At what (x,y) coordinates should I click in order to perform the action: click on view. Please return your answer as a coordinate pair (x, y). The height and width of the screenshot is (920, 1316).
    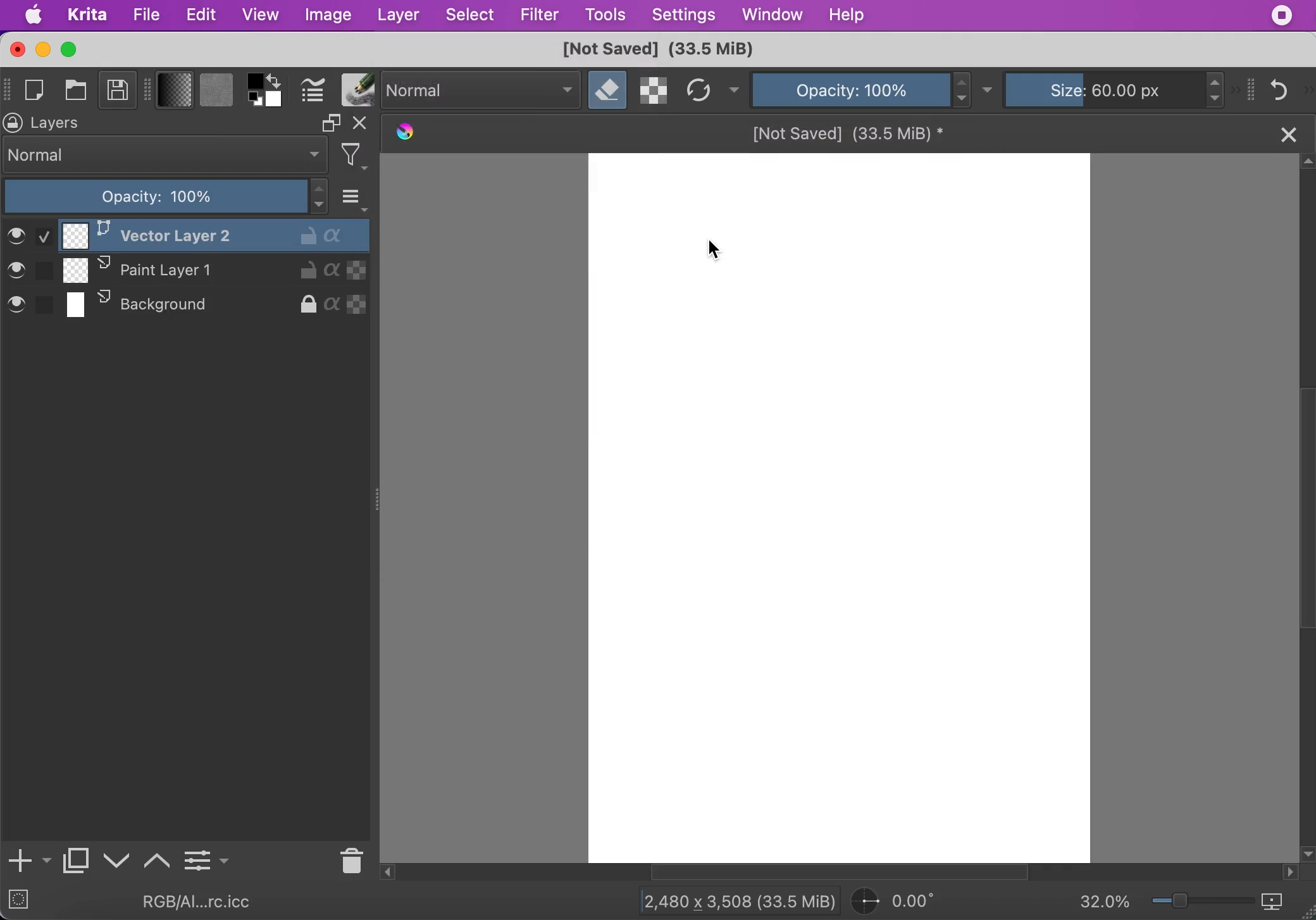
    Looking at the image, I should click on (260, 14).